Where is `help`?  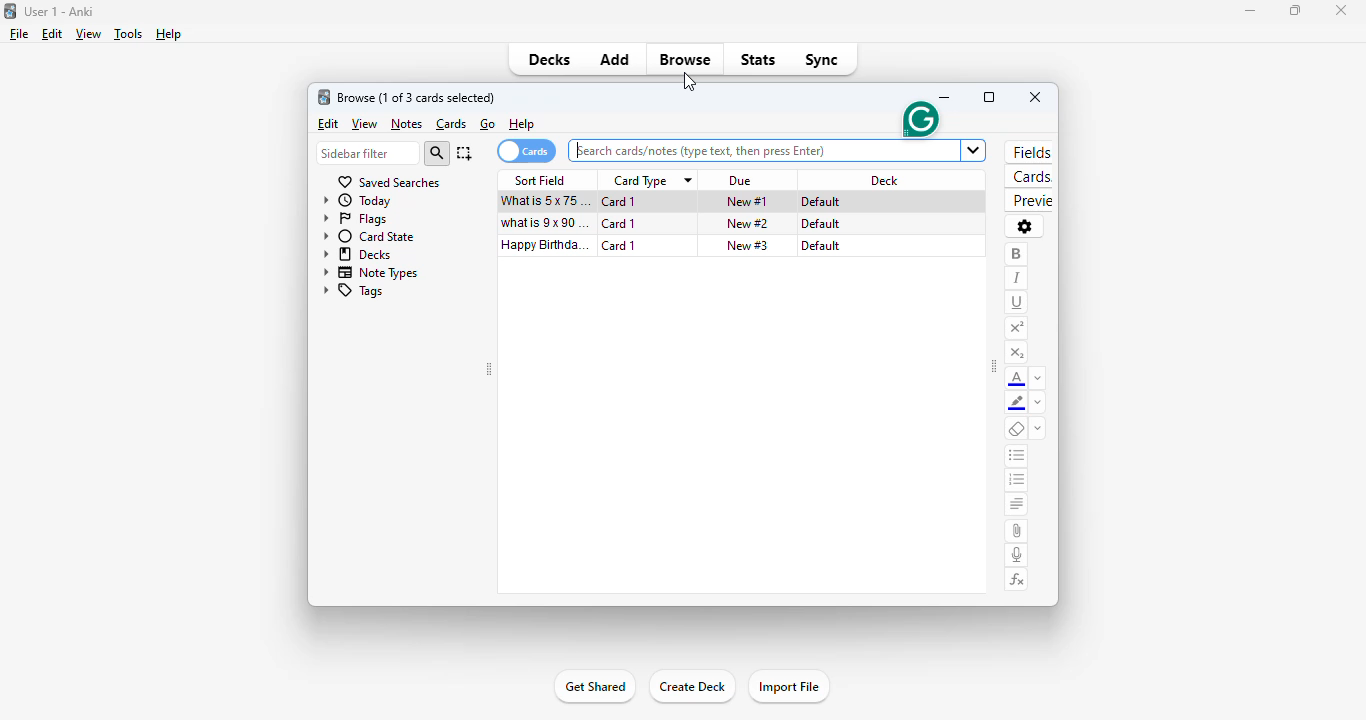 help is located at coordinates (522, 124).